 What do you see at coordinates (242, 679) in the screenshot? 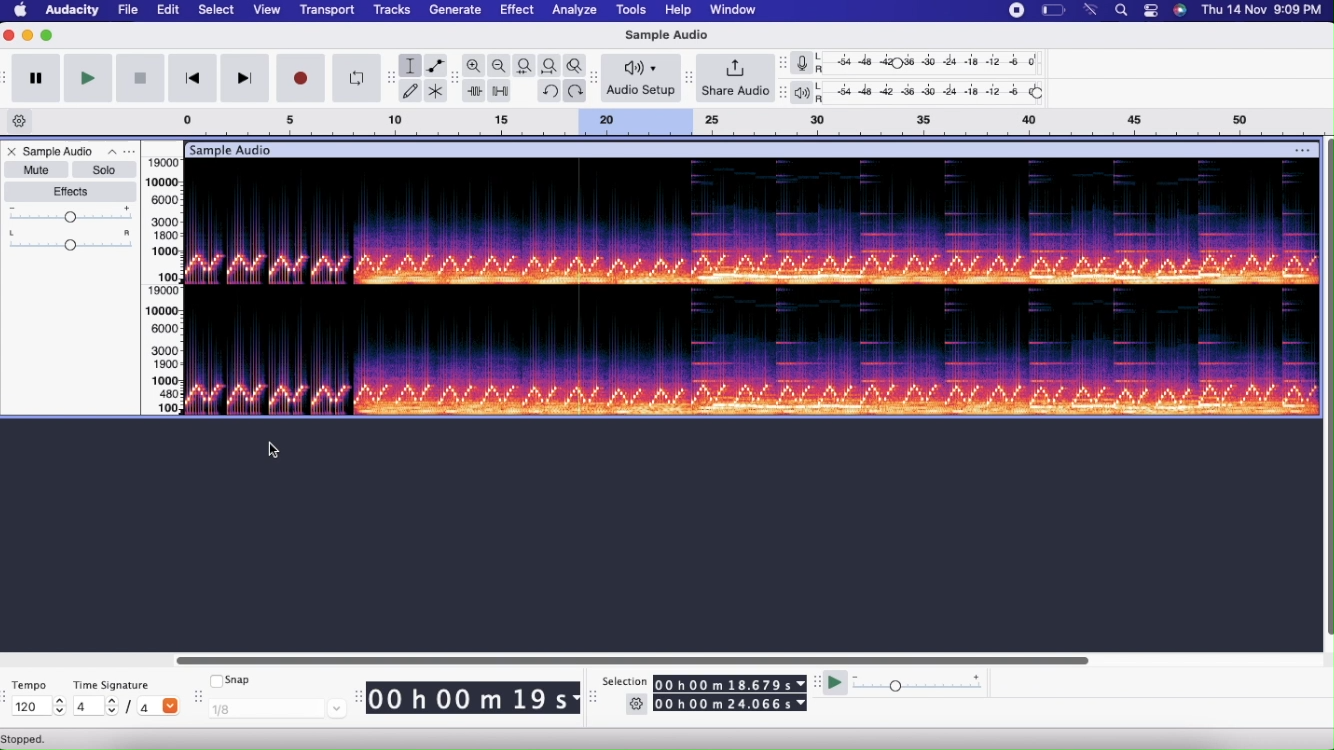
I see `Snap` at bounding box center [242, 679].